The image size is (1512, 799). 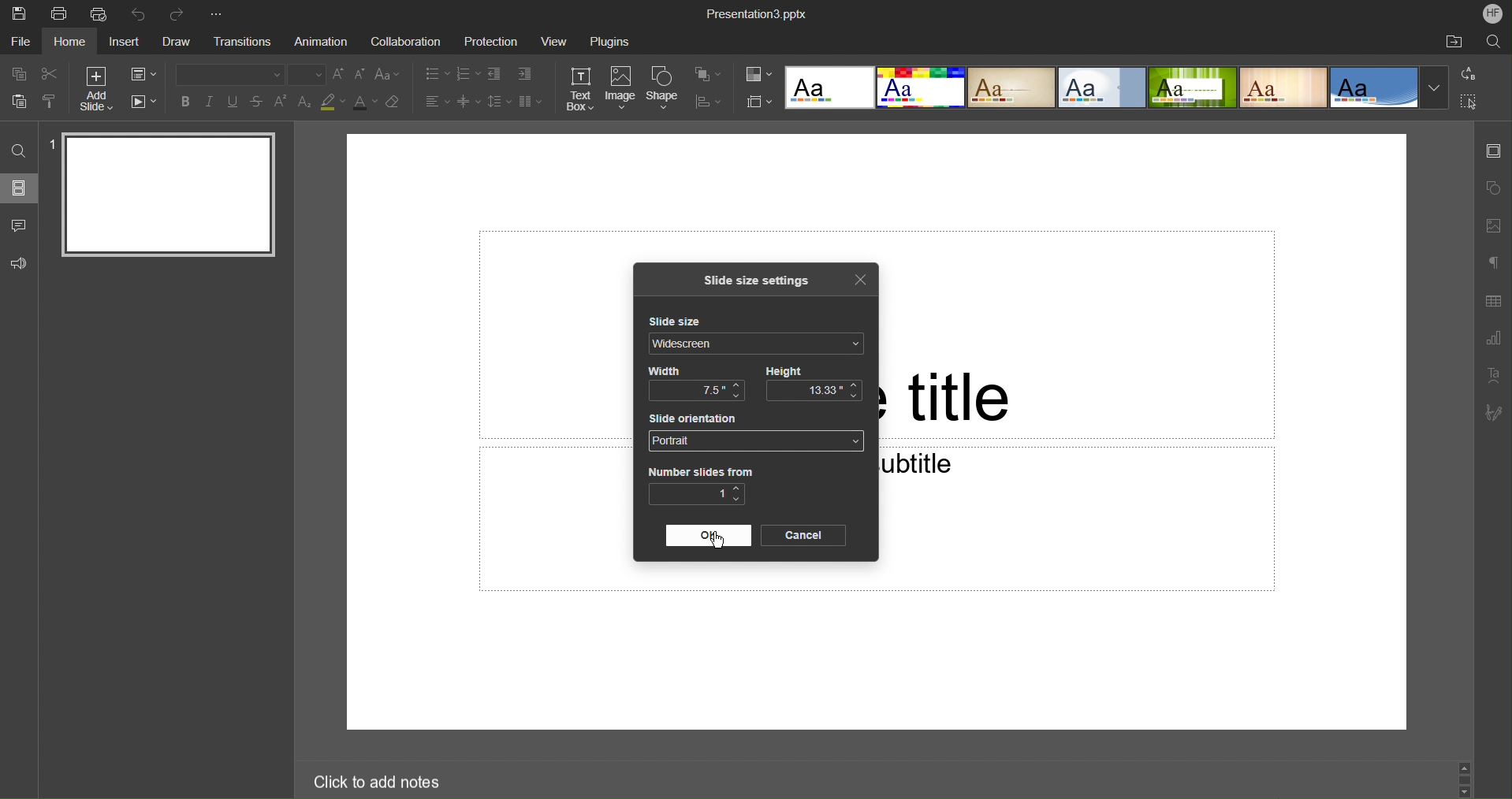 What do you see at coordinates (258, 102) in the screenshot?
I see `Strikethrough` at bounding box center [258, 102].